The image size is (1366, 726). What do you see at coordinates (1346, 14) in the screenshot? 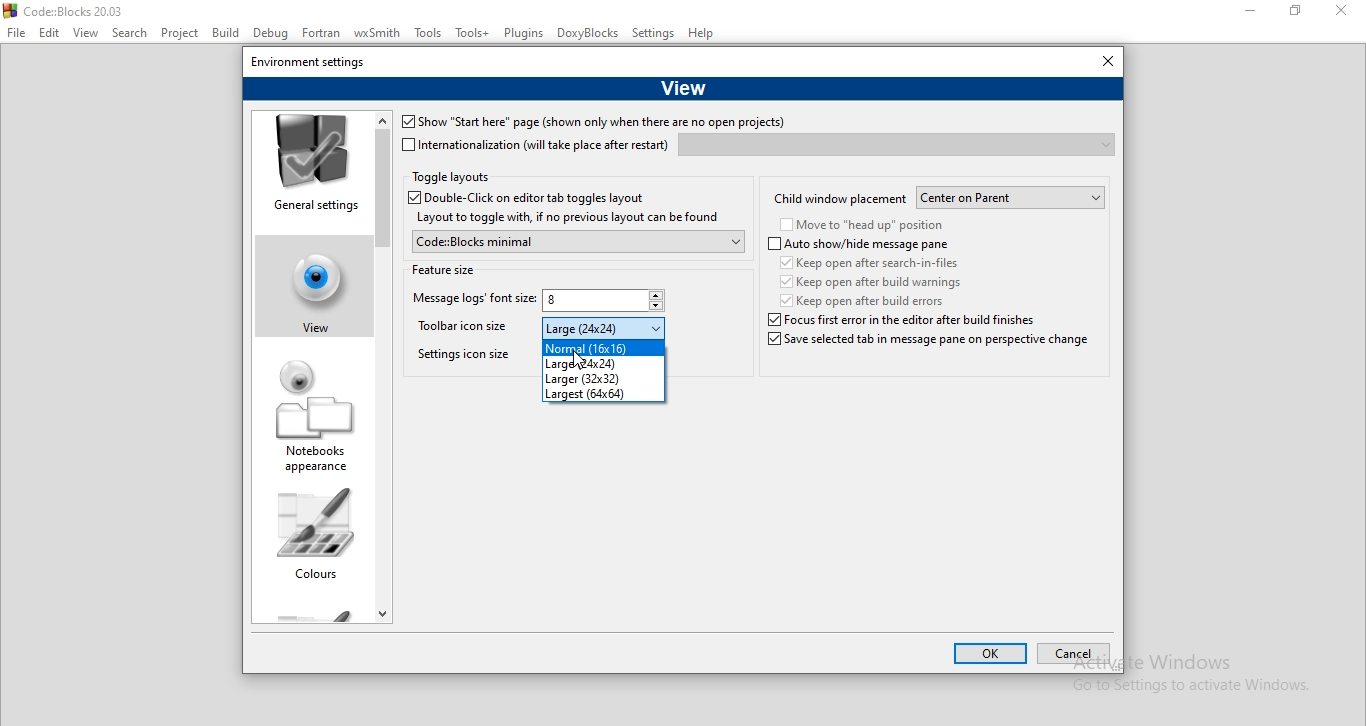
I see `close` at bounding box center [1346, 14].